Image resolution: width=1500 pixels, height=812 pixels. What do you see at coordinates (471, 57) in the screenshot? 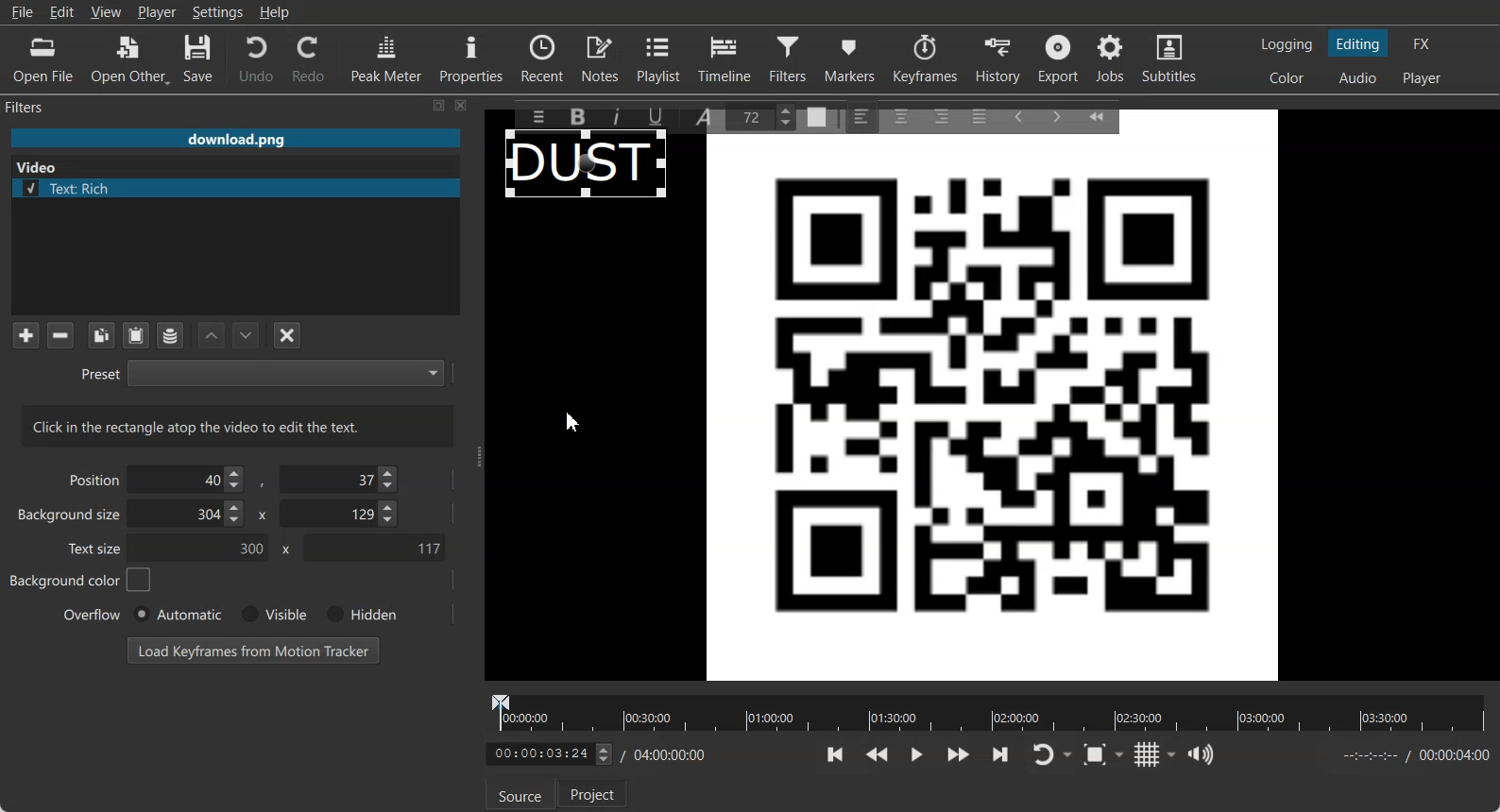
I see `Properties` at bounding box center [471, 57].